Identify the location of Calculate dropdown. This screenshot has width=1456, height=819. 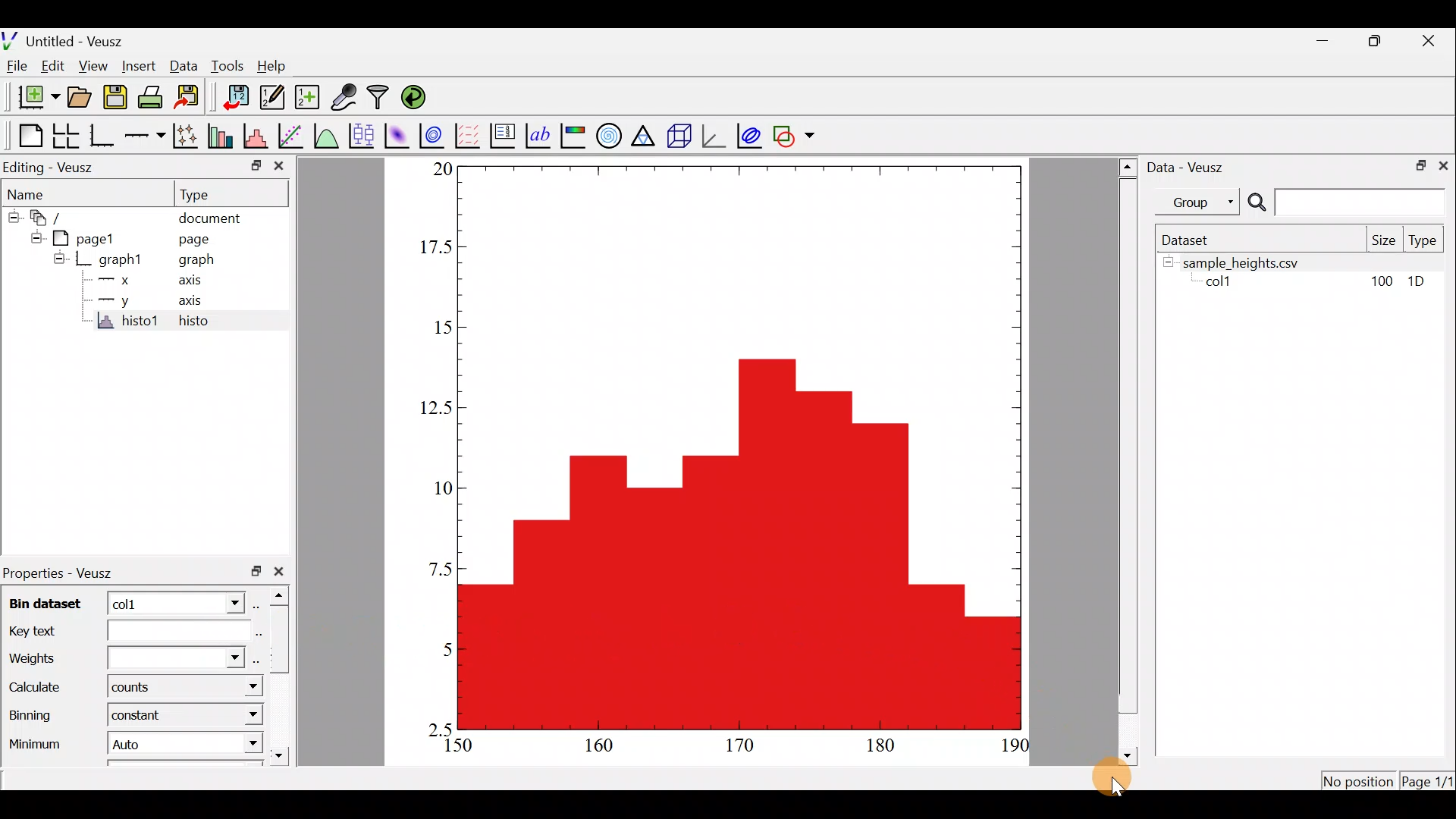
(237, 686).